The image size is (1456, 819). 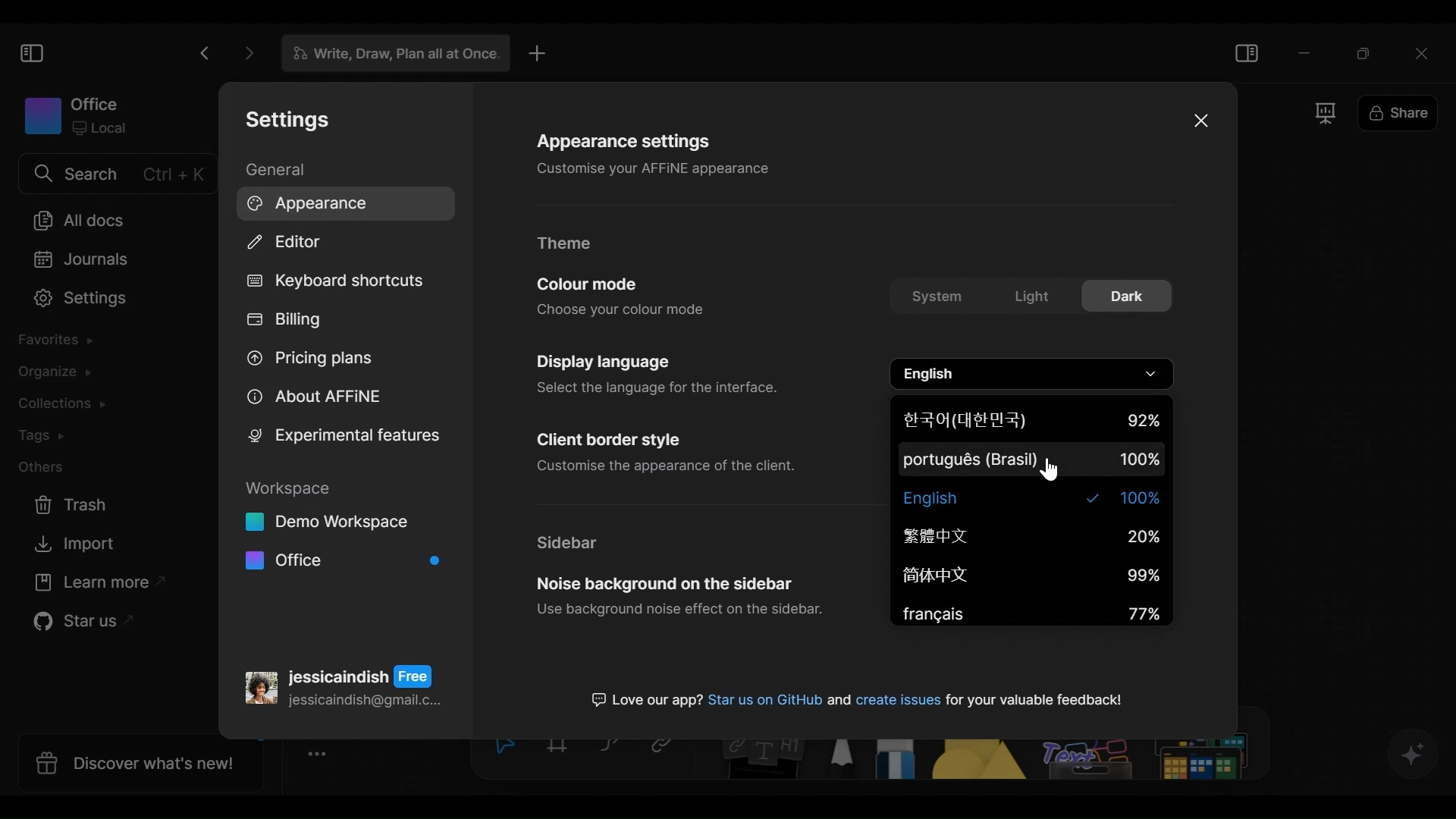 What do you see at coordinates (343, 527) in the screenshot?
I see `Workspace` at bounding box center [343, 527].